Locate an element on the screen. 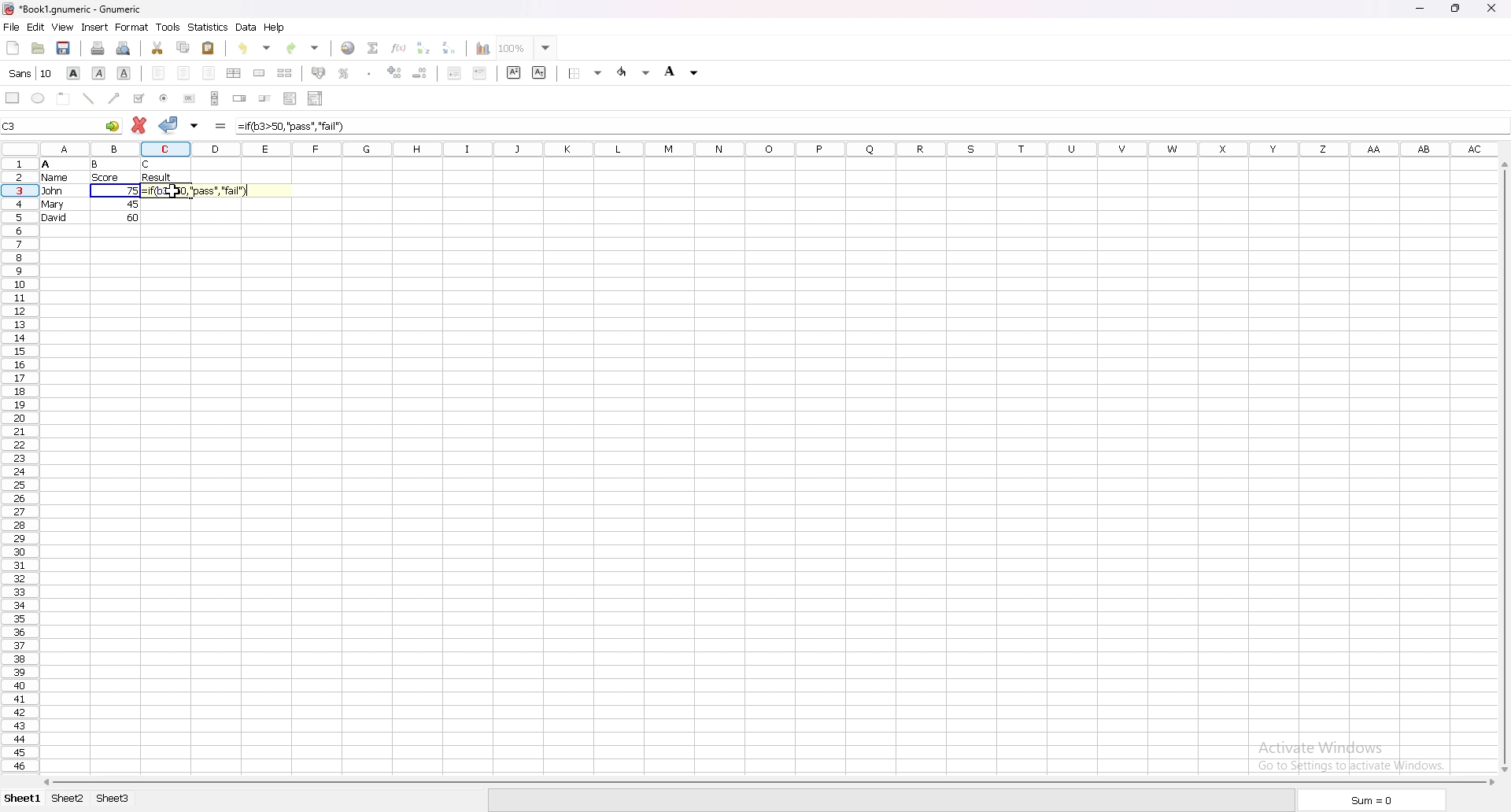 Image resolution: width=1511 pixels, height=812 pixels. italic is located at coordinates (101, 73).